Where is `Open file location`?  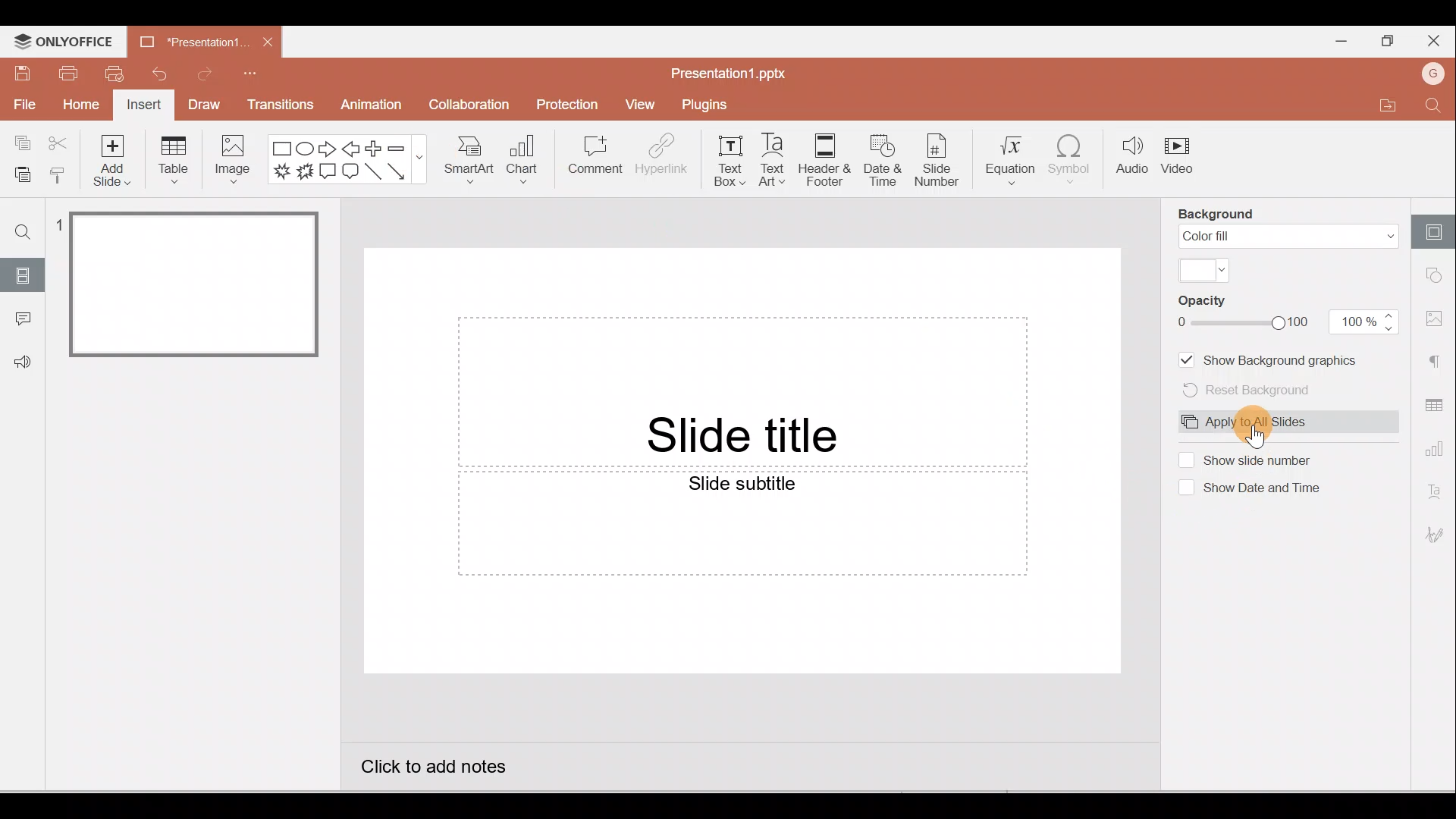 Open file location is located at coordinates (1388, 108).